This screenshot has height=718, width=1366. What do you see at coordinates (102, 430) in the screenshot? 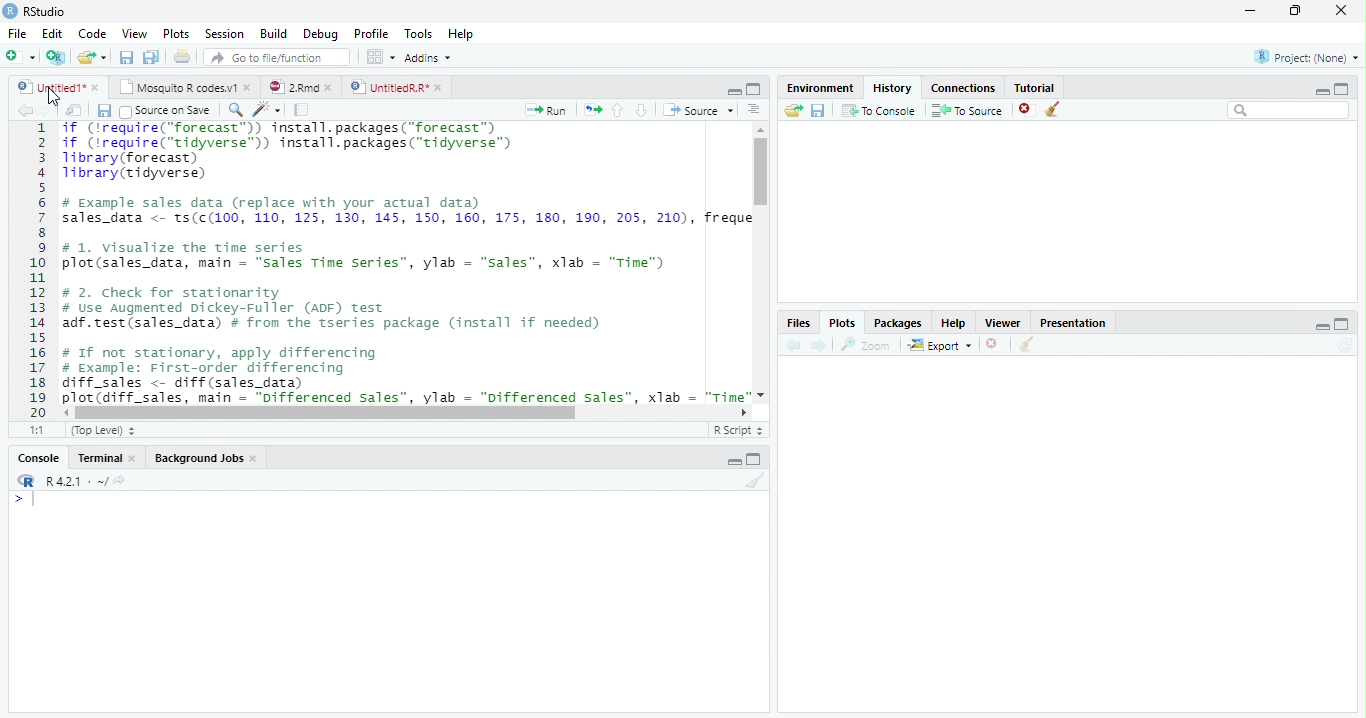
I see `Top level` at bounding box center [102, 430].